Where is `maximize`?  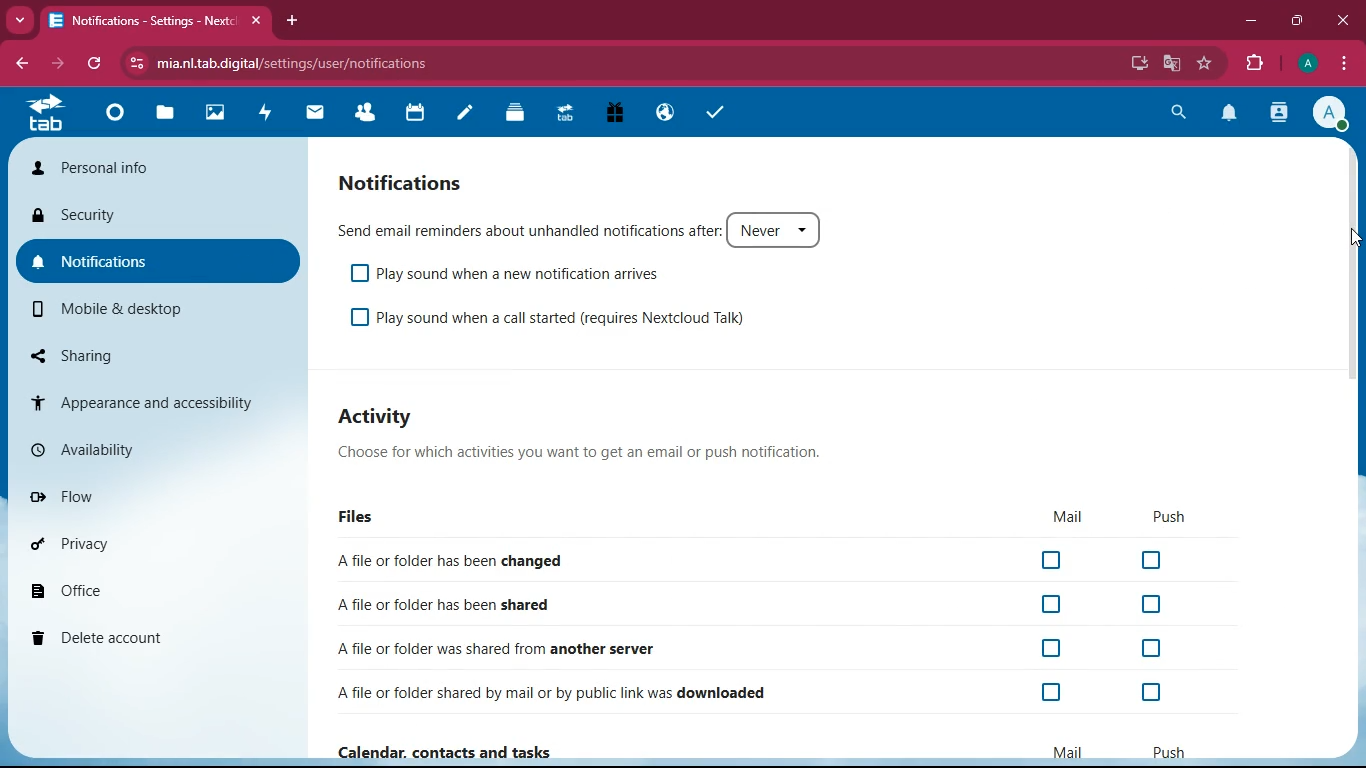
maximize is located at coordinates (1295, 22).